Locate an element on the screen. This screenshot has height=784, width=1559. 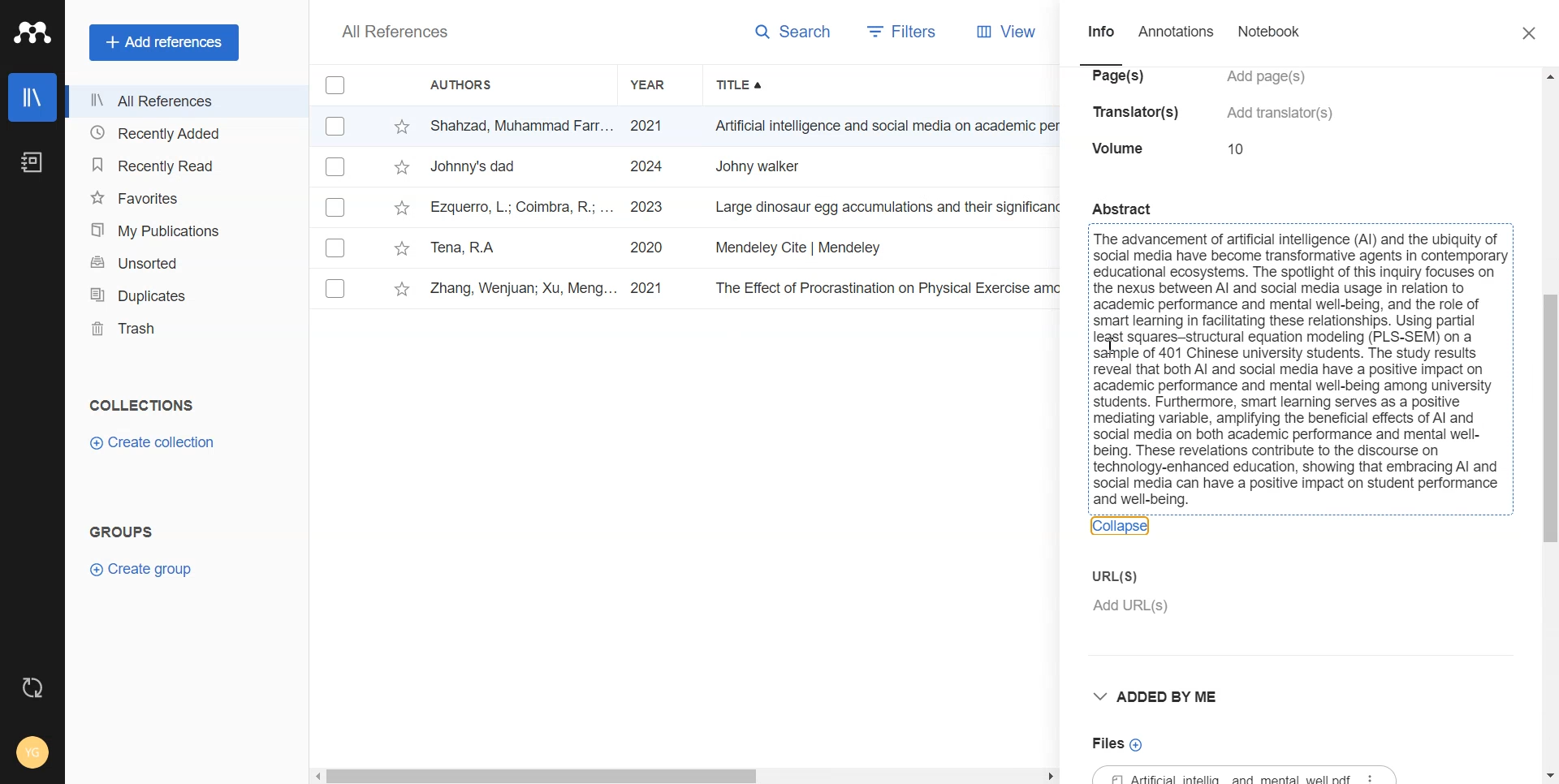
Notebook is located at coordinates (1275, 31).